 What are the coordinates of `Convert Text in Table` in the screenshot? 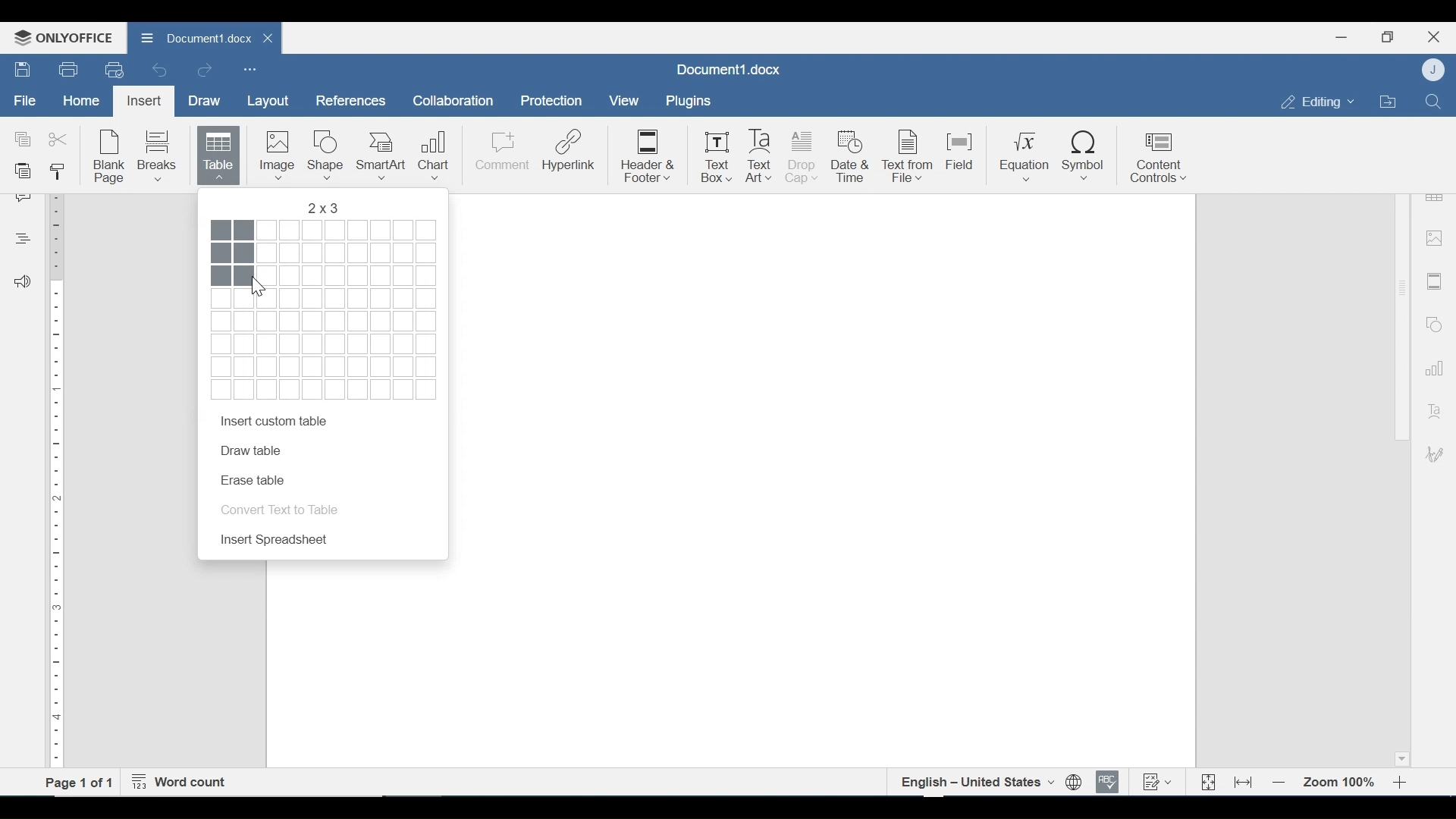 It's located at (285, 510).